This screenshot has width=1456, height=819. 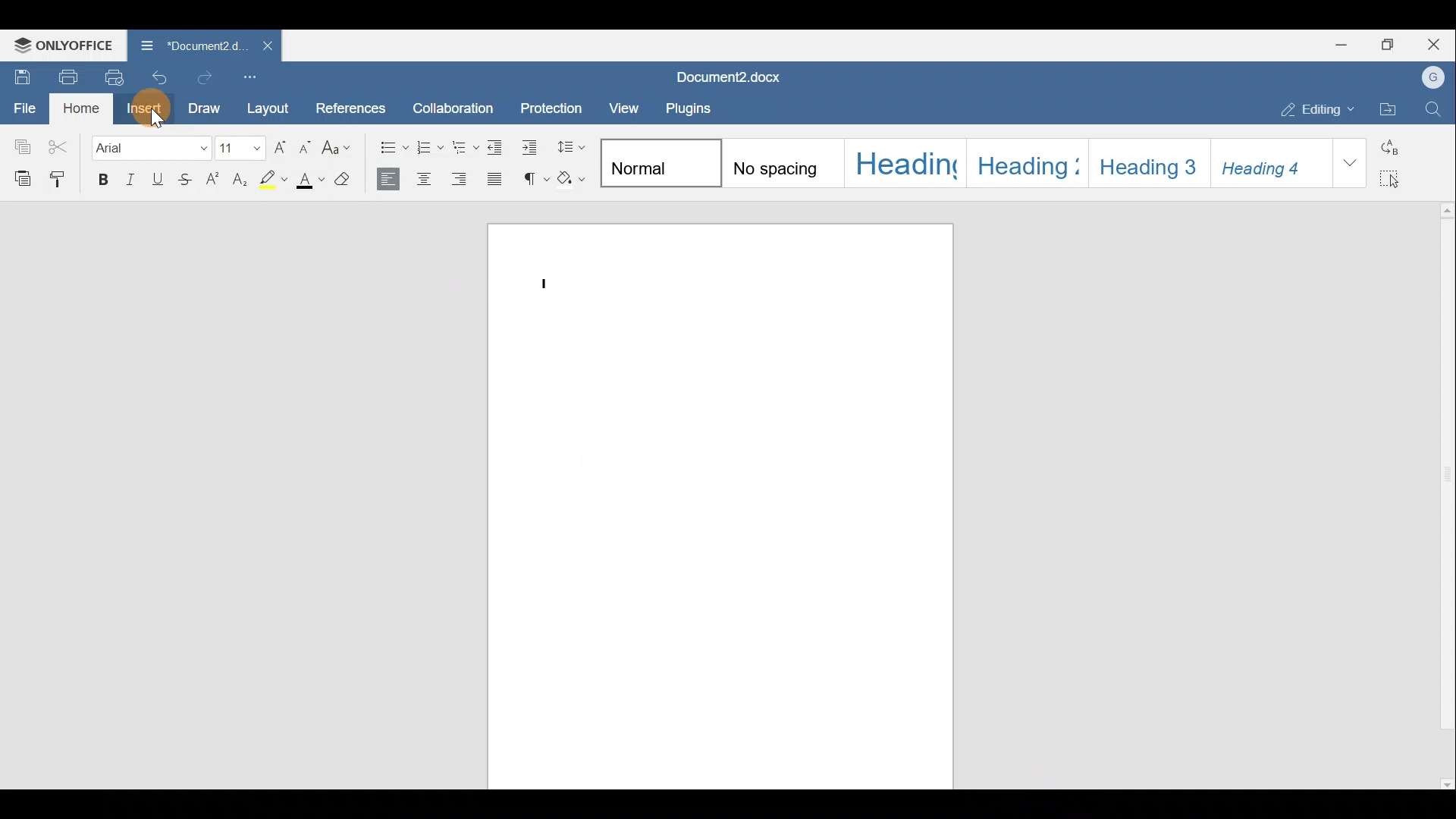 What do you see at coordinates (350, 180) in the screenshot?
I see `Clear style` at bounding box center [350, 180].